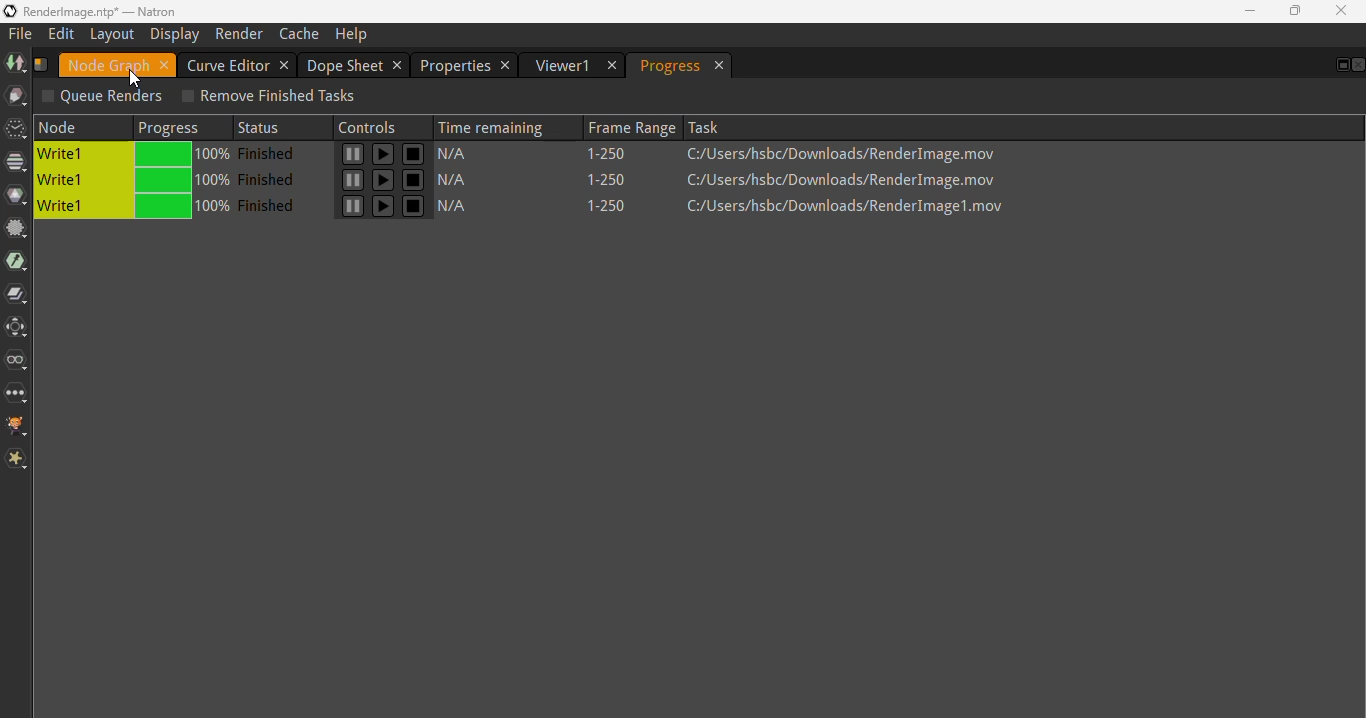  Describe the element at coordinates (618, 206) in the screenshot. I see `1-250` at that location.